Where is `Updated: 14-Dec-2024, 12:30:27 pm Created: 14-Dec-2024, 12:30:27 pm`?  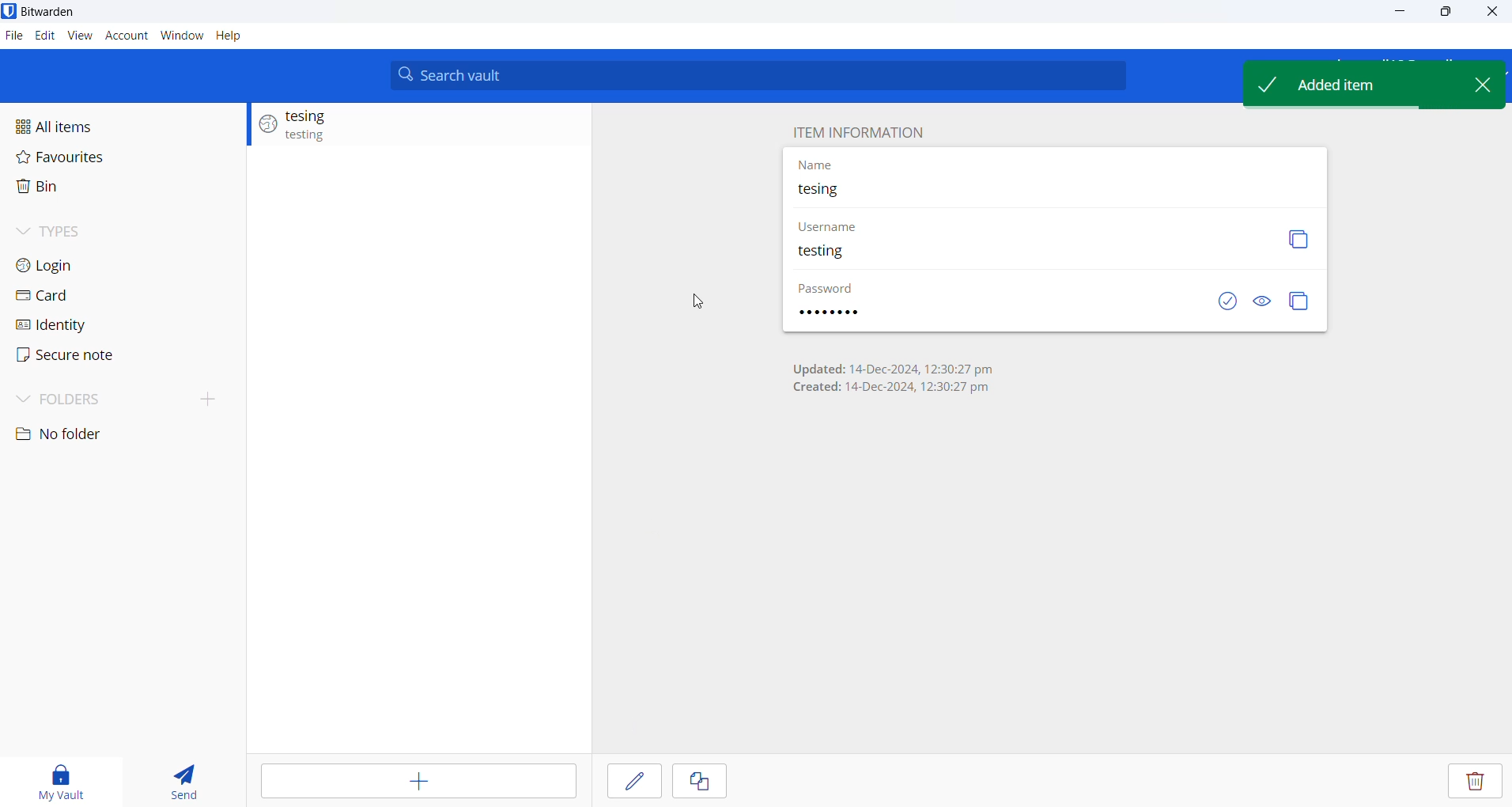 Updated: 14-Dec-2024, 12:30:27 pm Created: 14-Dec-2024, 12:30:27 pm is located at coordinates (892, 381).